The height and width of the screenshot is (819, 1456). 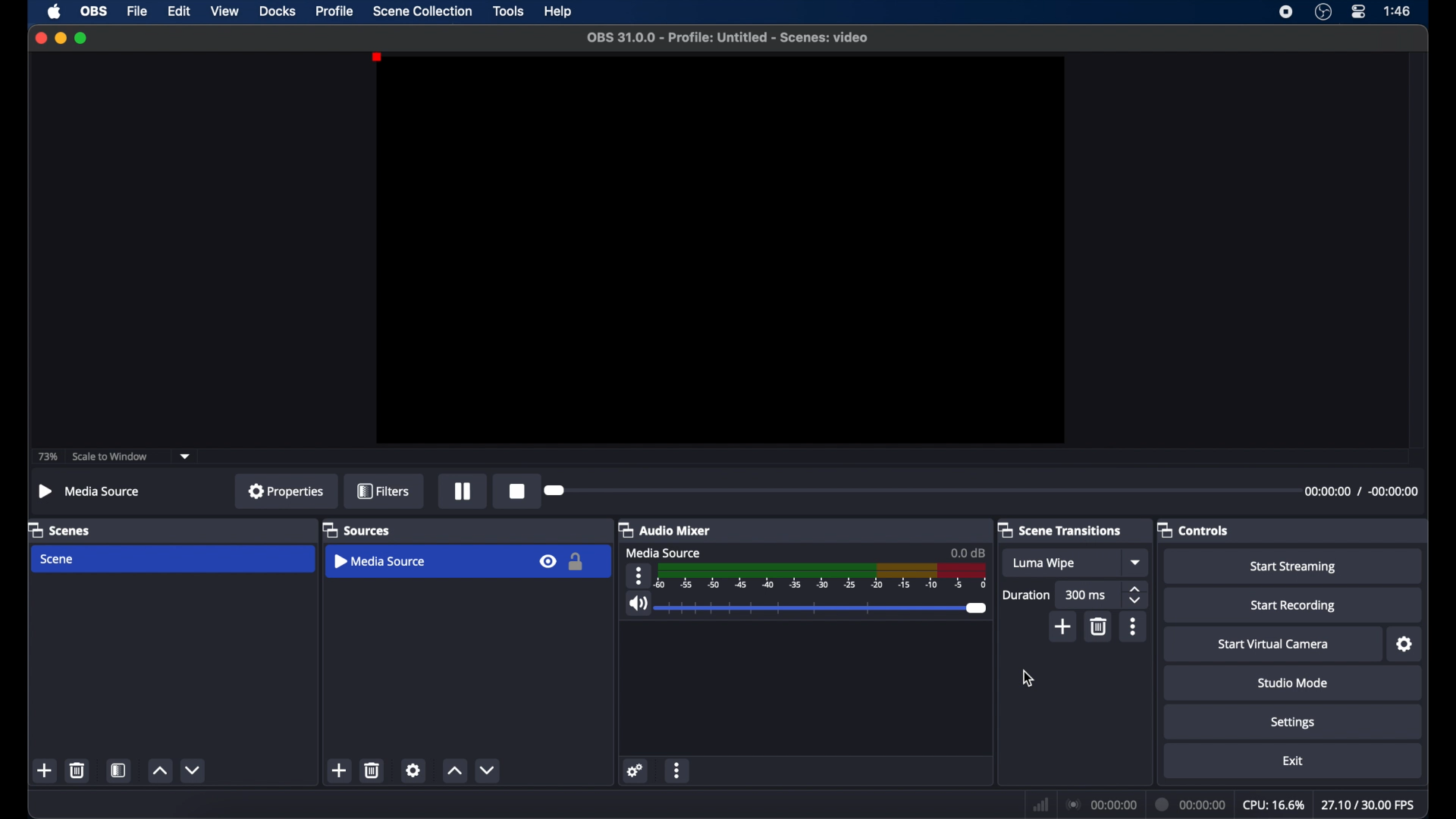 What do you see at coordinates (1192, 531) in the screenshot?
I see `controls` at bounding box center [1192, 531].